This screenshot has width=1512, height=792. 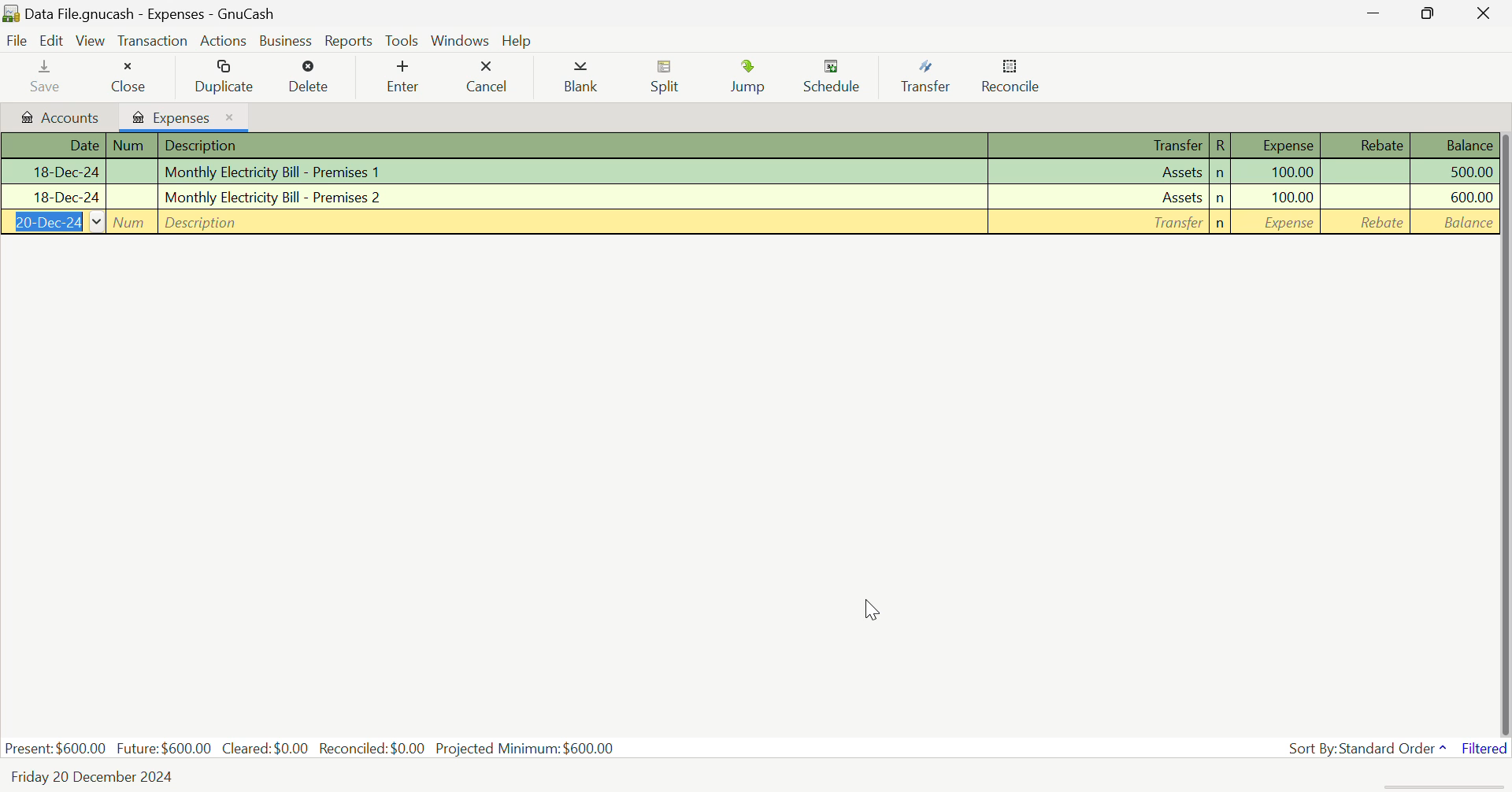 What do you see at coordinates (52, 41) in the screenshot?
I see `Edit` at bounding box center [52, 41].